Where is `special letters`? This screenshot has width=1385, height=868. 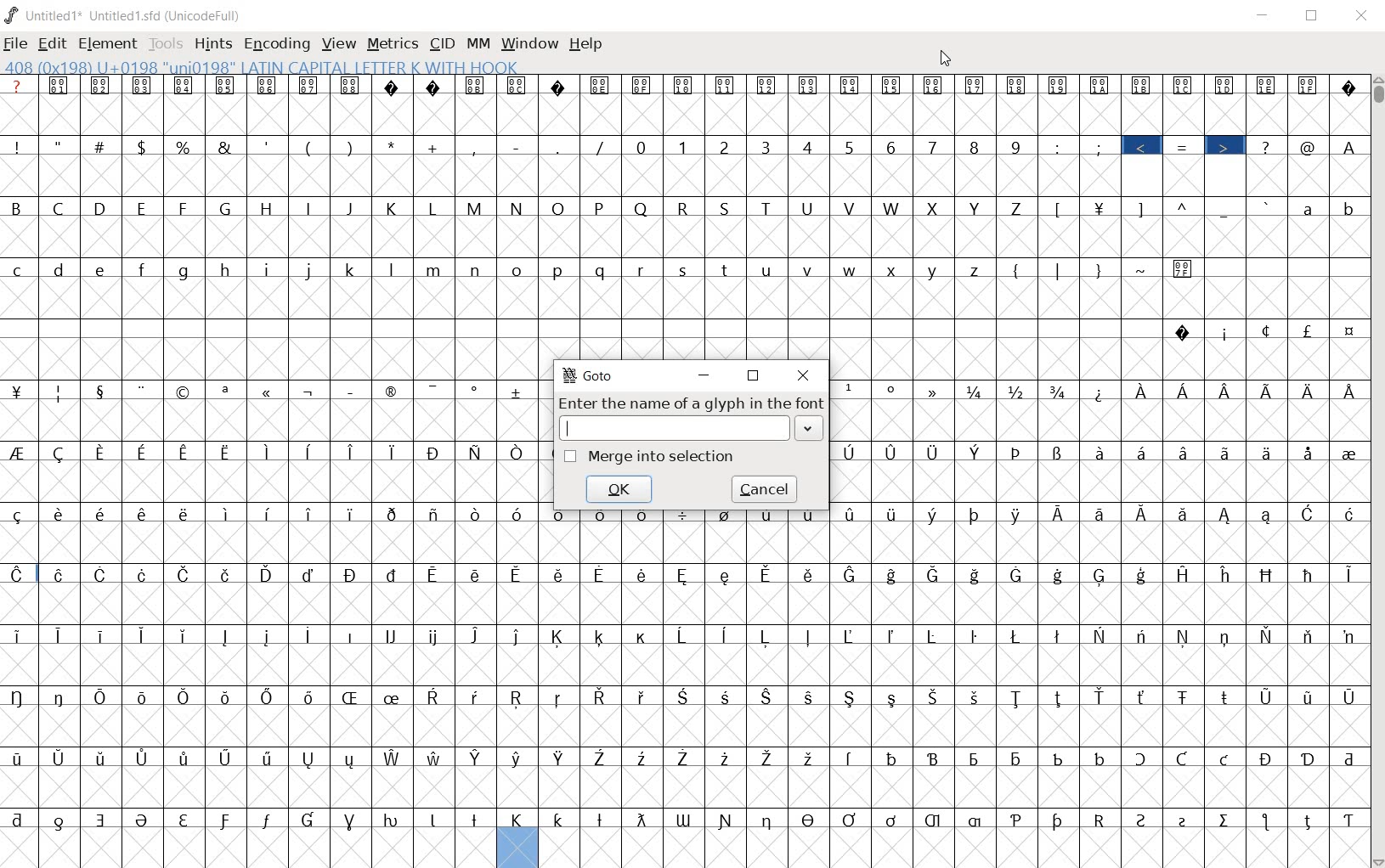
special letters is located at coordinates (682, 572).